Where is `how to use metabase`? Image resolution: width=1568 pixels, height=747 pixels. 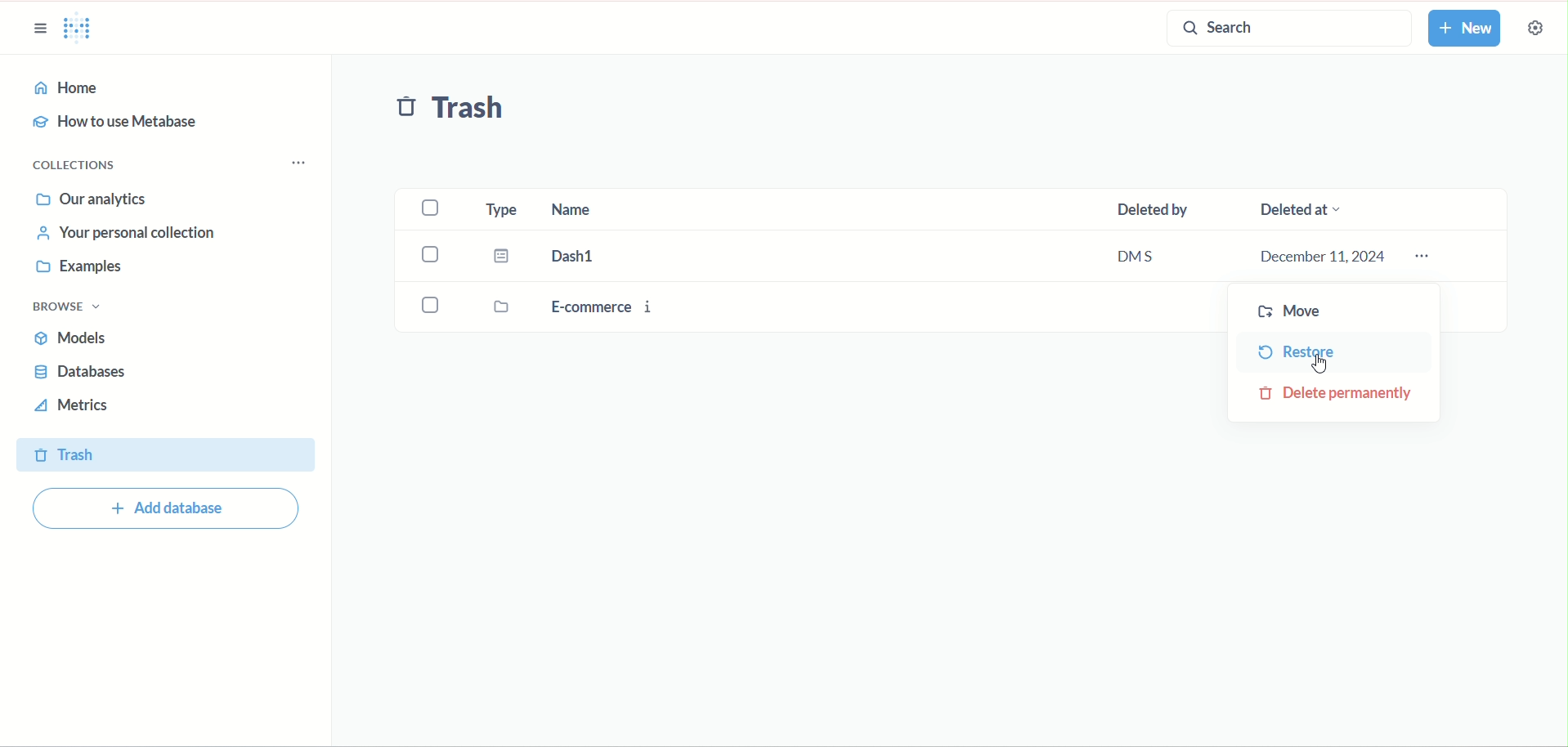
how to use metabase is located at coordinates (121, 125).